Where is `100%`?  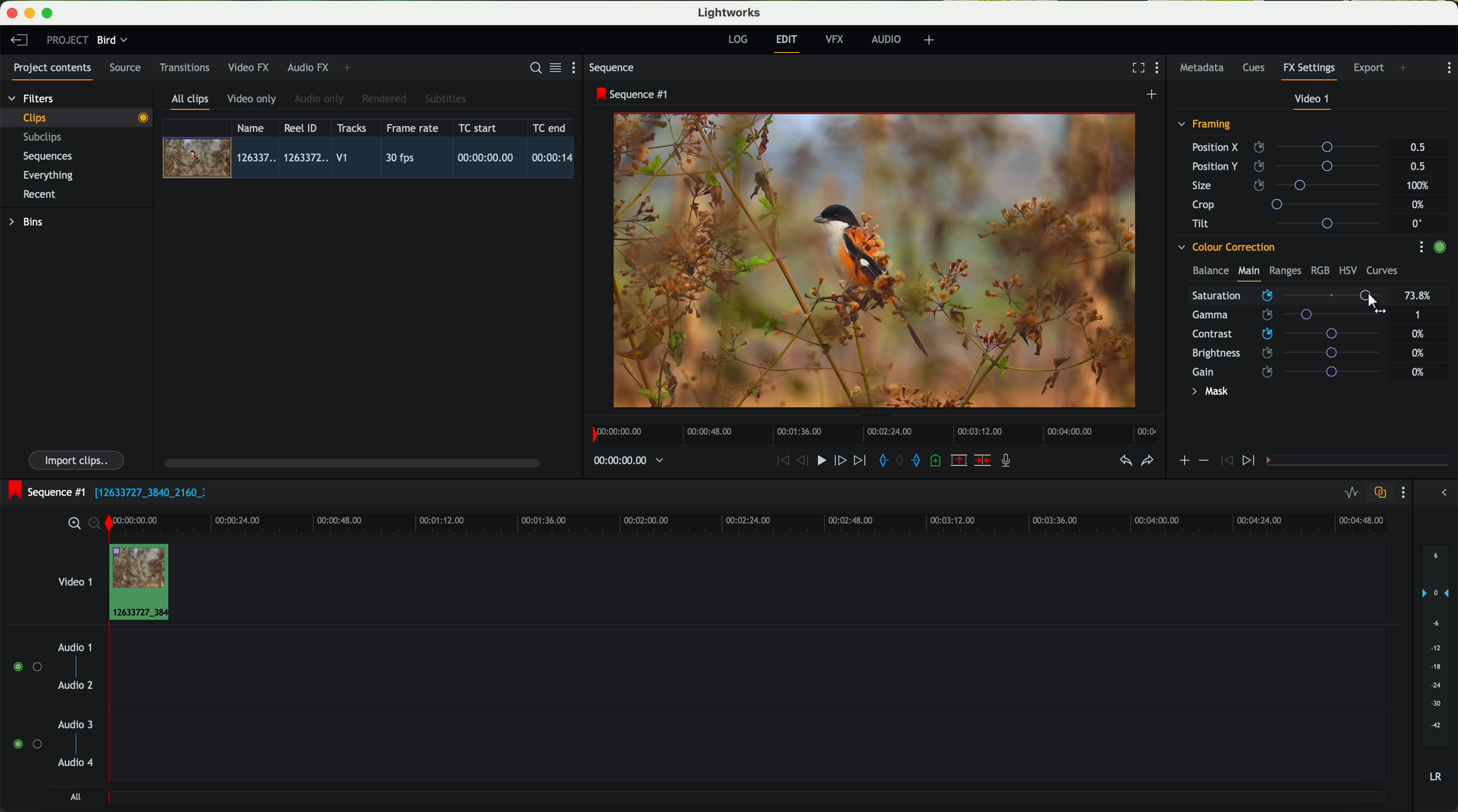
100% is located at coordinates (1421, 186).